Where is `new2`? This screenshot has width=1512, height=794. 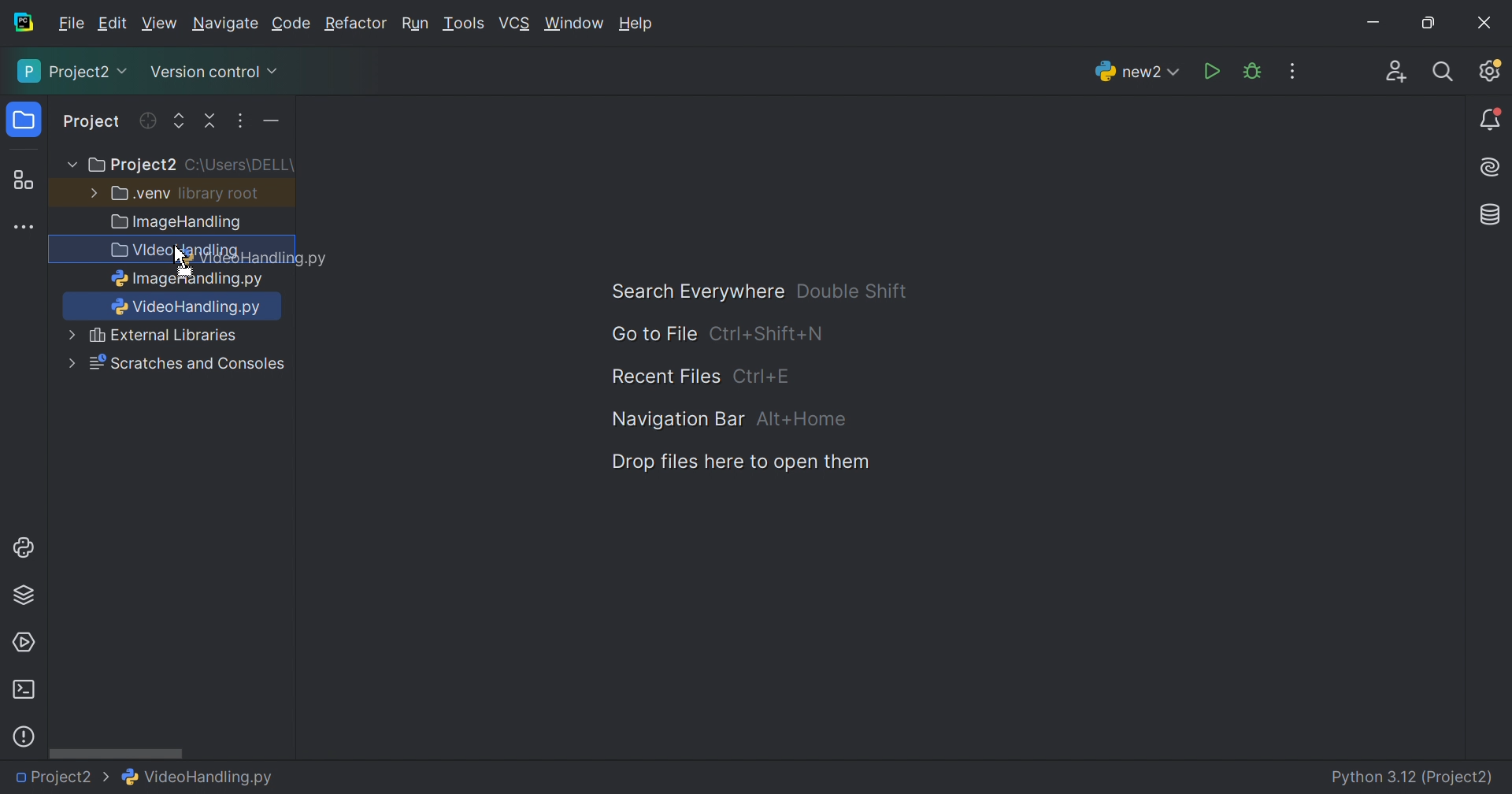 new2 is located at coordinates (1137, 76).